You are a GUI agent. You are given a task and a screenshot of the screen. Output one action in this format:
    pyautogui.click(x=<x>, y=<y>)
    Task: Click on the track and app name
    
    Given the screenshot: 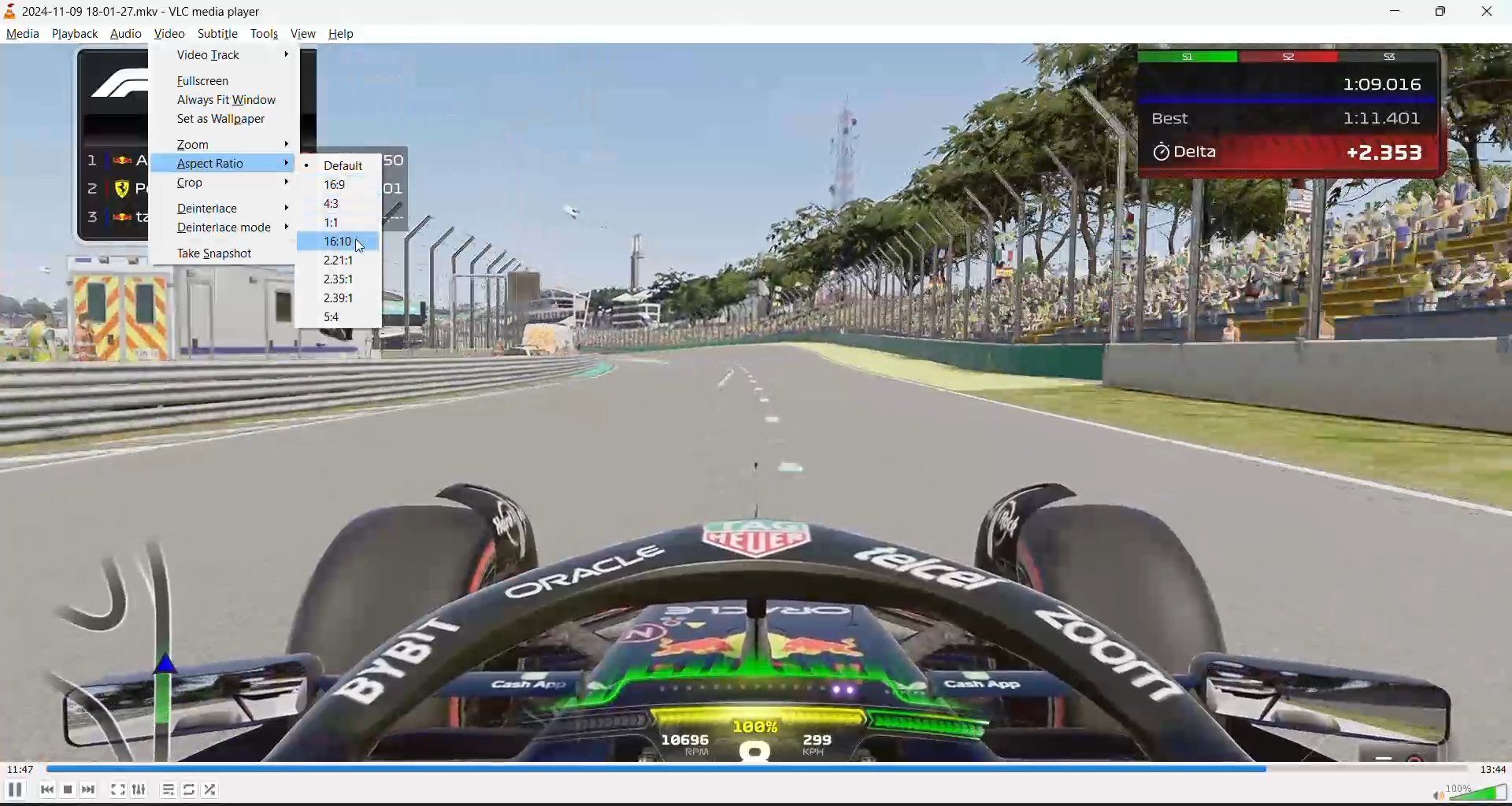 What is the action you would take?
    pyautogui.click(x=141, y=9)
    